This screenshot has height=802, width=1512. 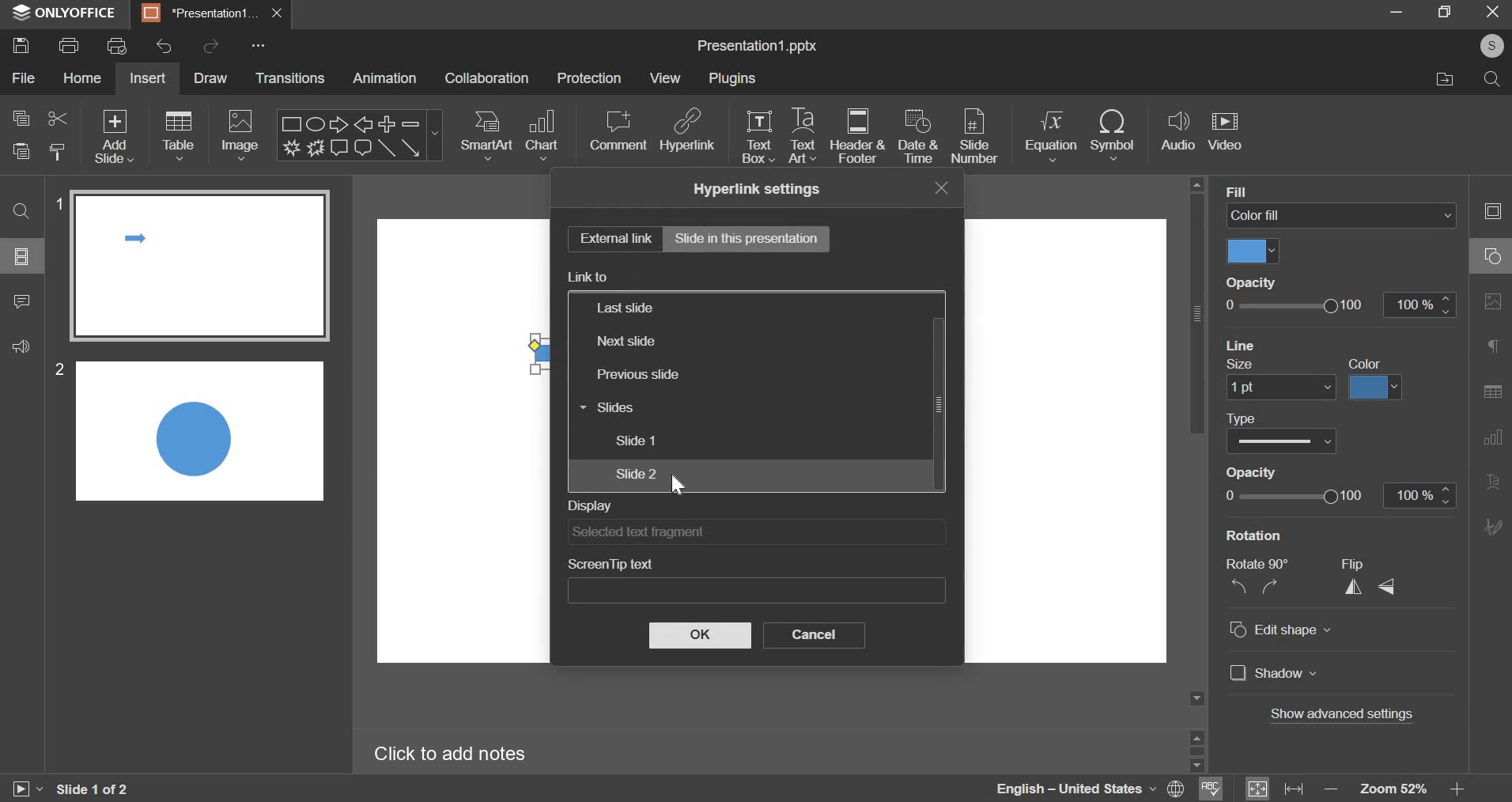 I want to click on slide 1 preview, so click(x=202, y=267).